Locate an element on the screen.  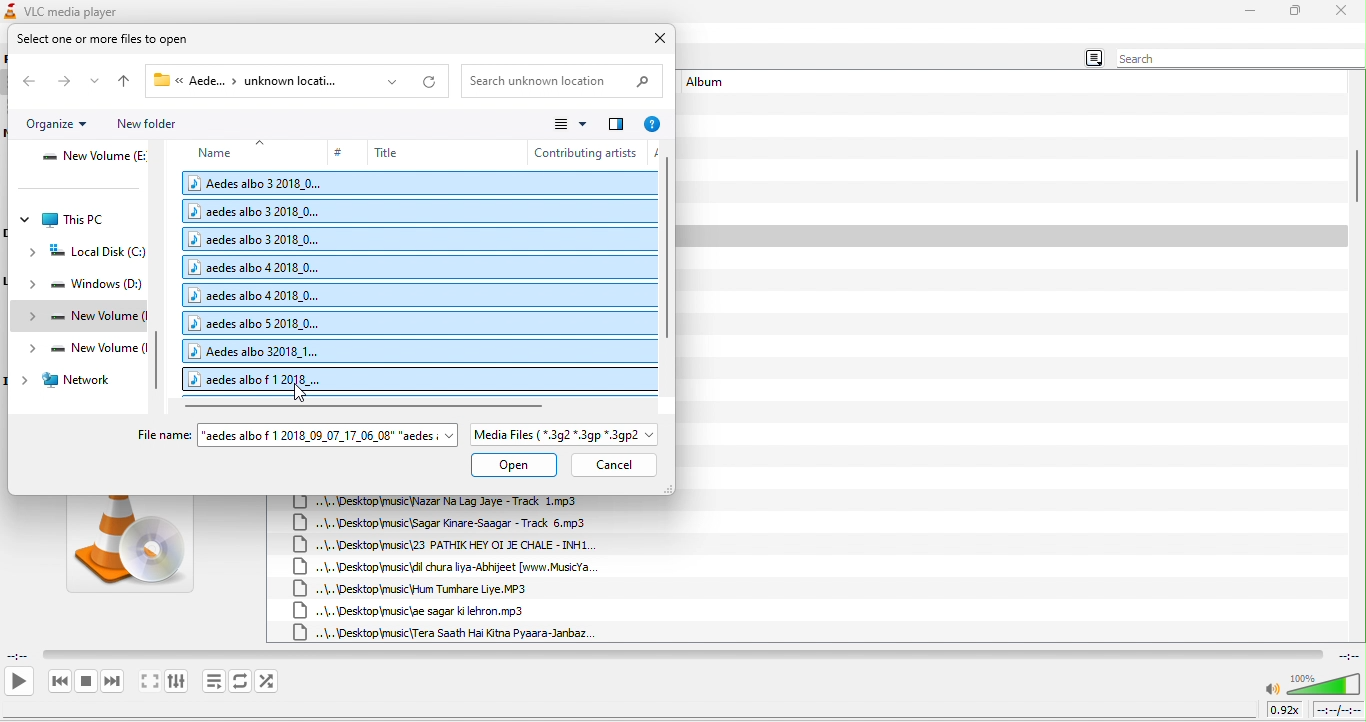
Aedes albo 3 2018_0... is located at coordinates (256, 183).